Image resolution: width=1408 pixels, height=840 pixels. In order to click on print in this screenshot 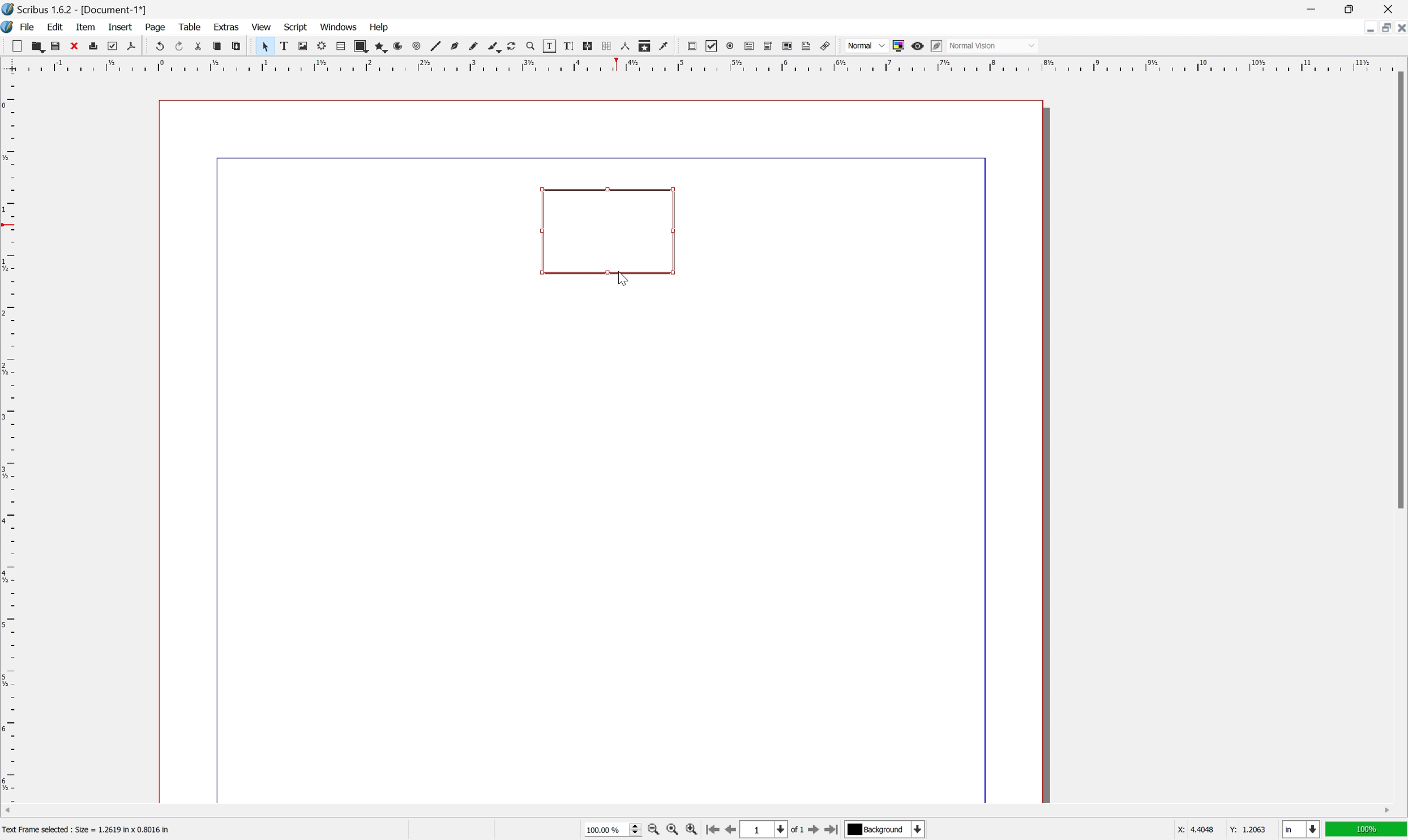, I will do `click(93, 46)`.